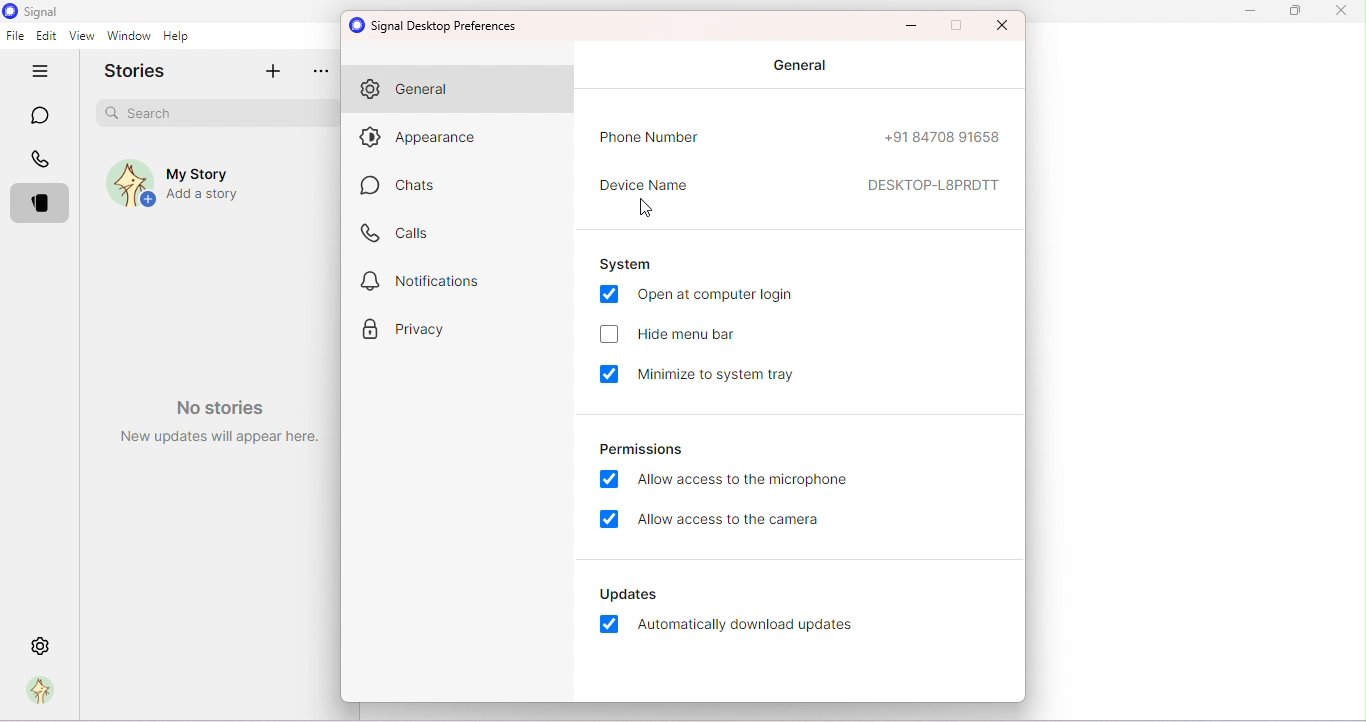 The image size is (1366, 722). Describe the element at coordinates (729, 481) in the screenshot. I see `Allow access to the microphone` at that location.